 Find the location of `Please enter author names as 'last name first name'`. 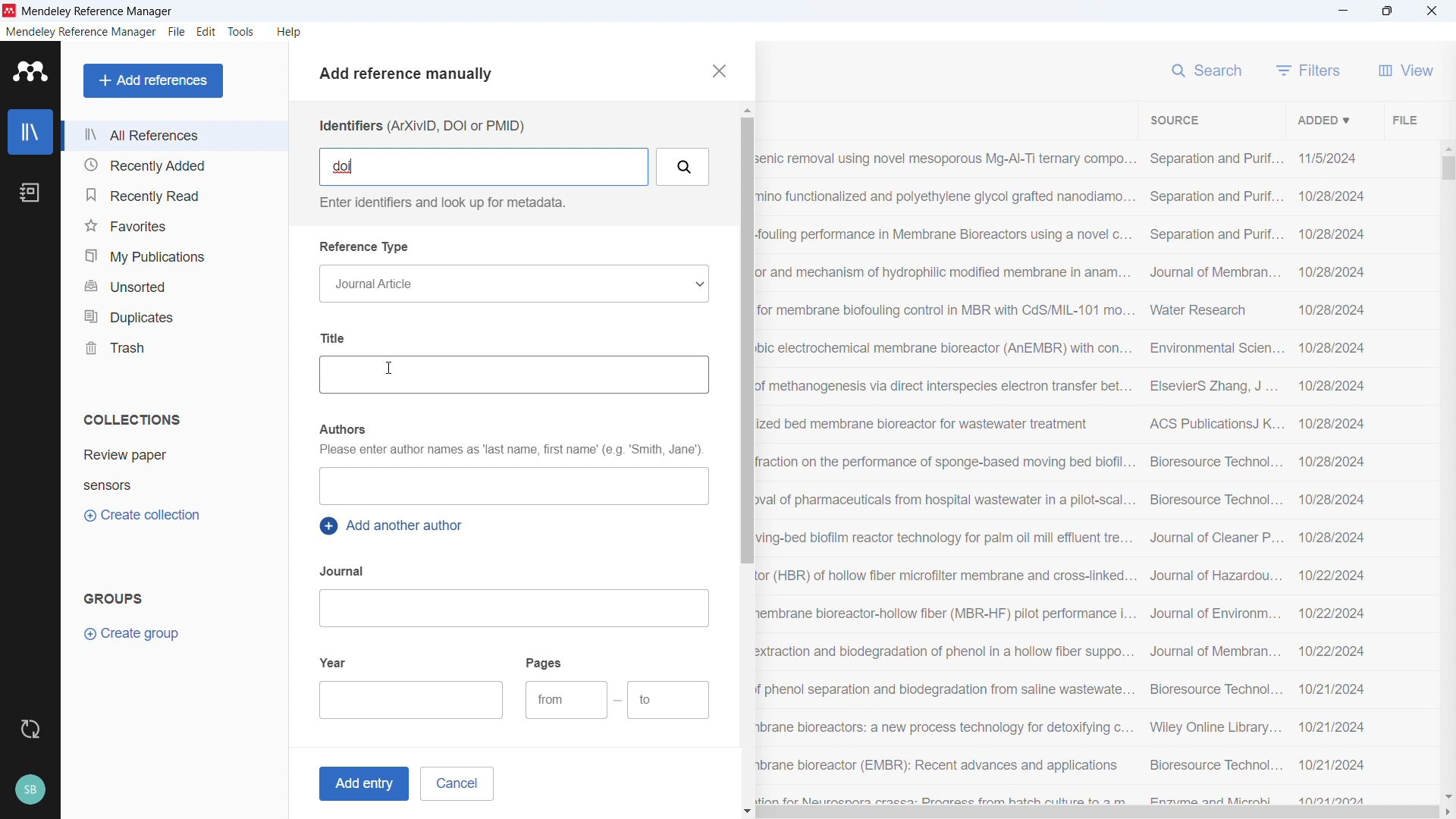

Please enter author names as 'last name first name' is located at coordinates (510, 451).